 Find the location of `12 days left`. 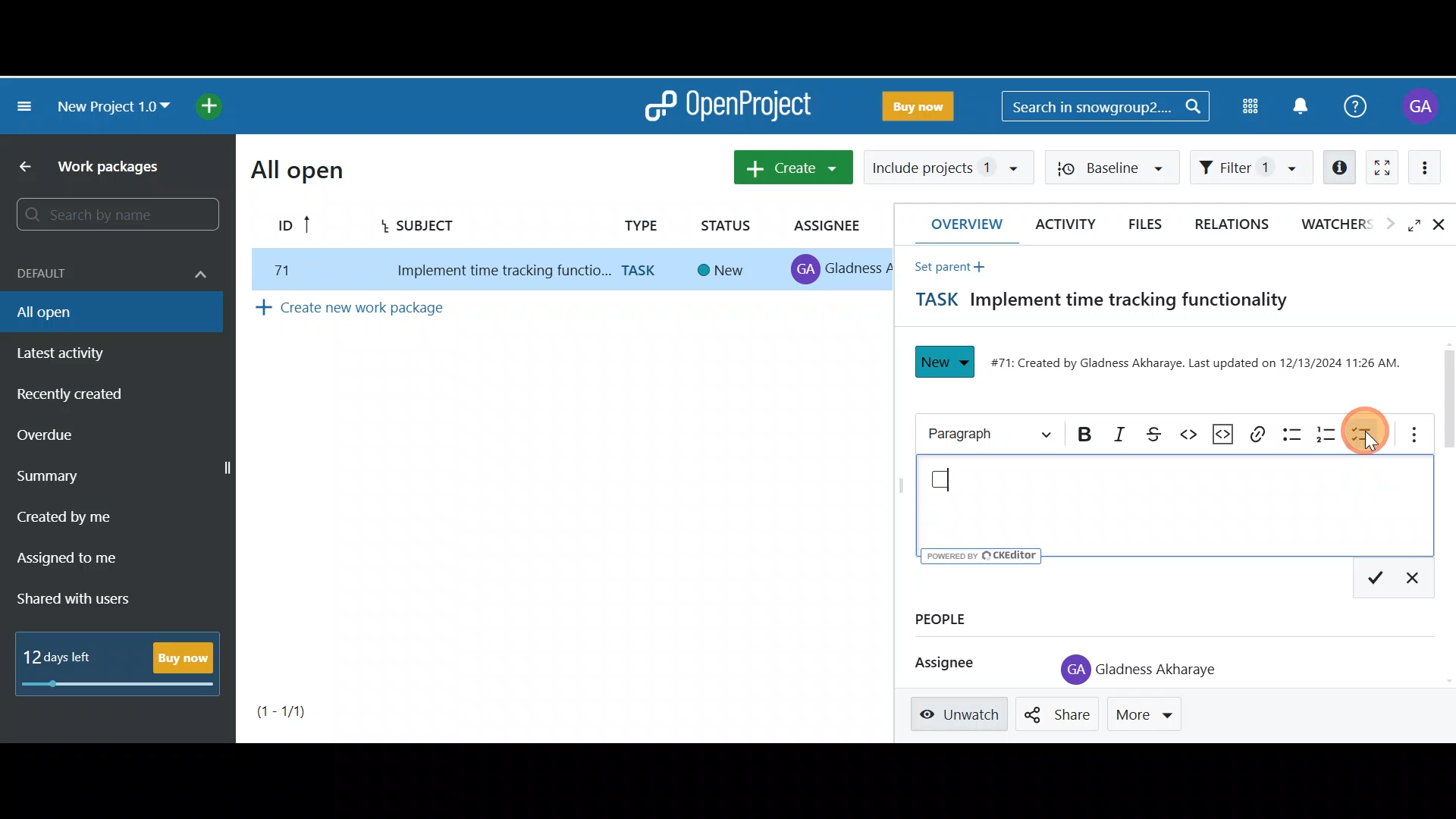

12 days left is located at coordinates (61, 657).